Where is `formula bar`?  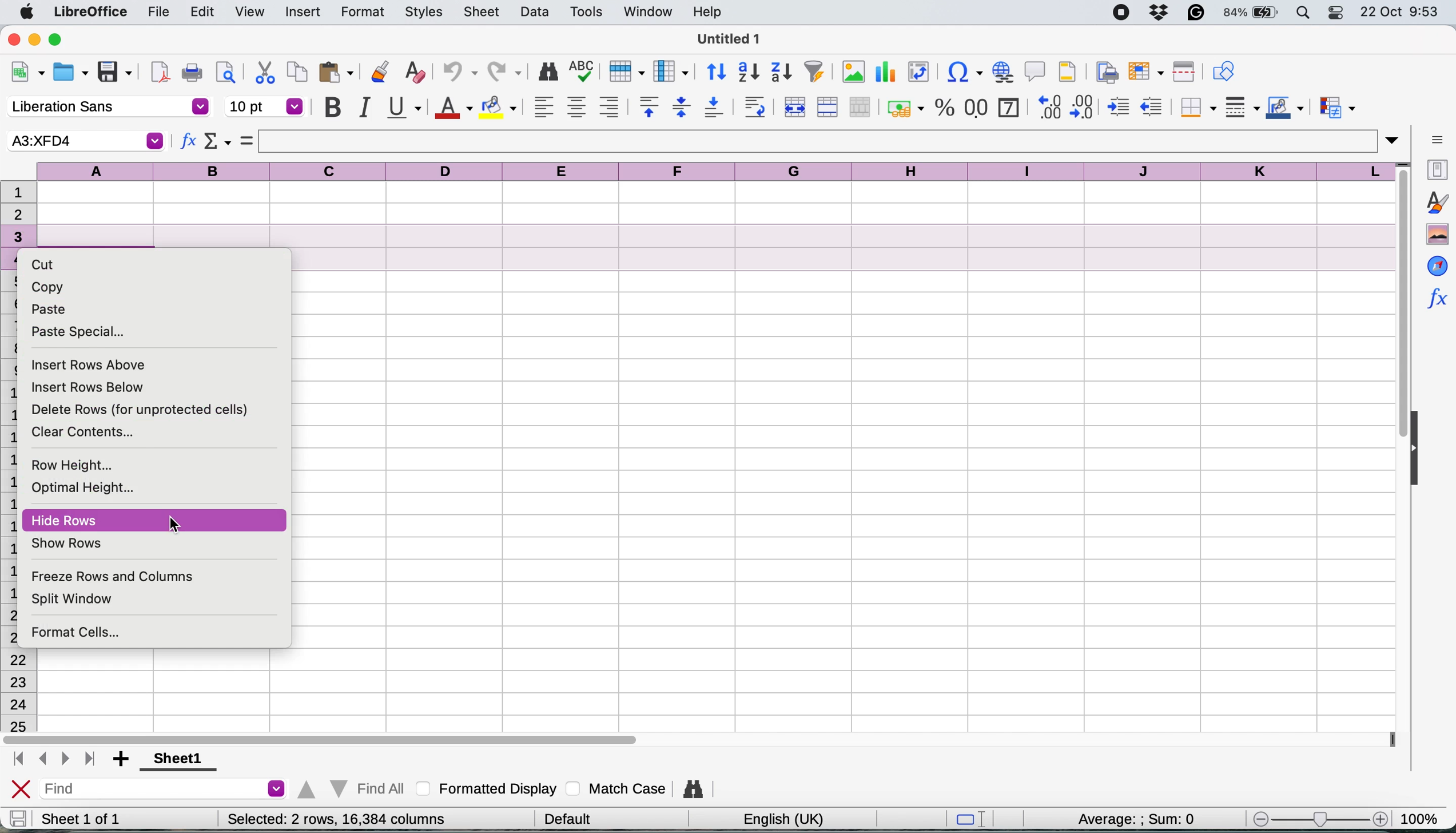 formula bar is located at coordinates (830, 141).